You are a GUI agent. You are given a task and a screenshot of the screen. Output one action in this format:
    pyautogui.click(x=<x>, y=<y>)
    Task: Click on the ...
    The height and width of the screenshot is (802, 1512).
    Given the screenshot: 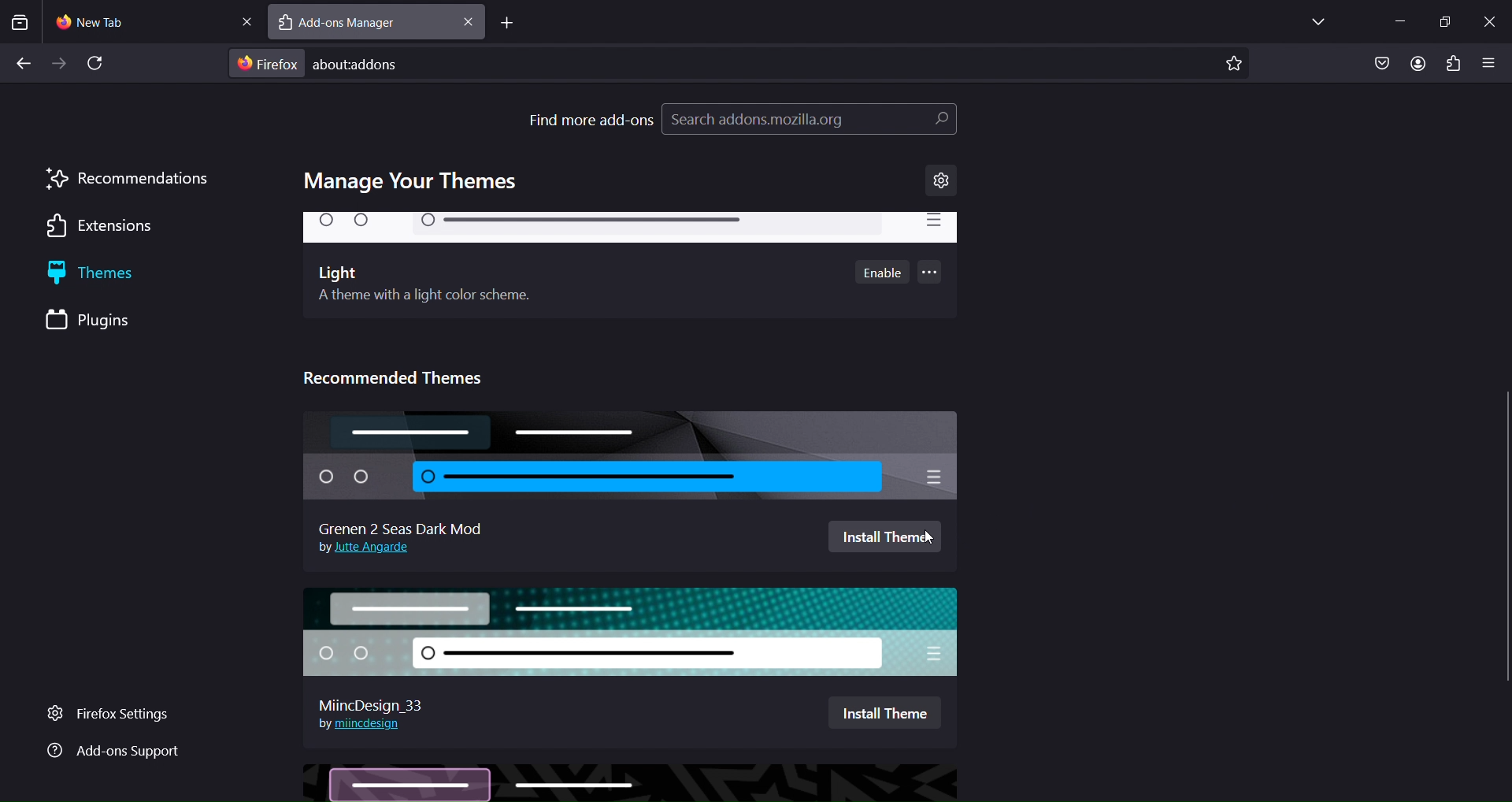 What is the action you would take?
    pyautogui.click(x=932, y=275)
    